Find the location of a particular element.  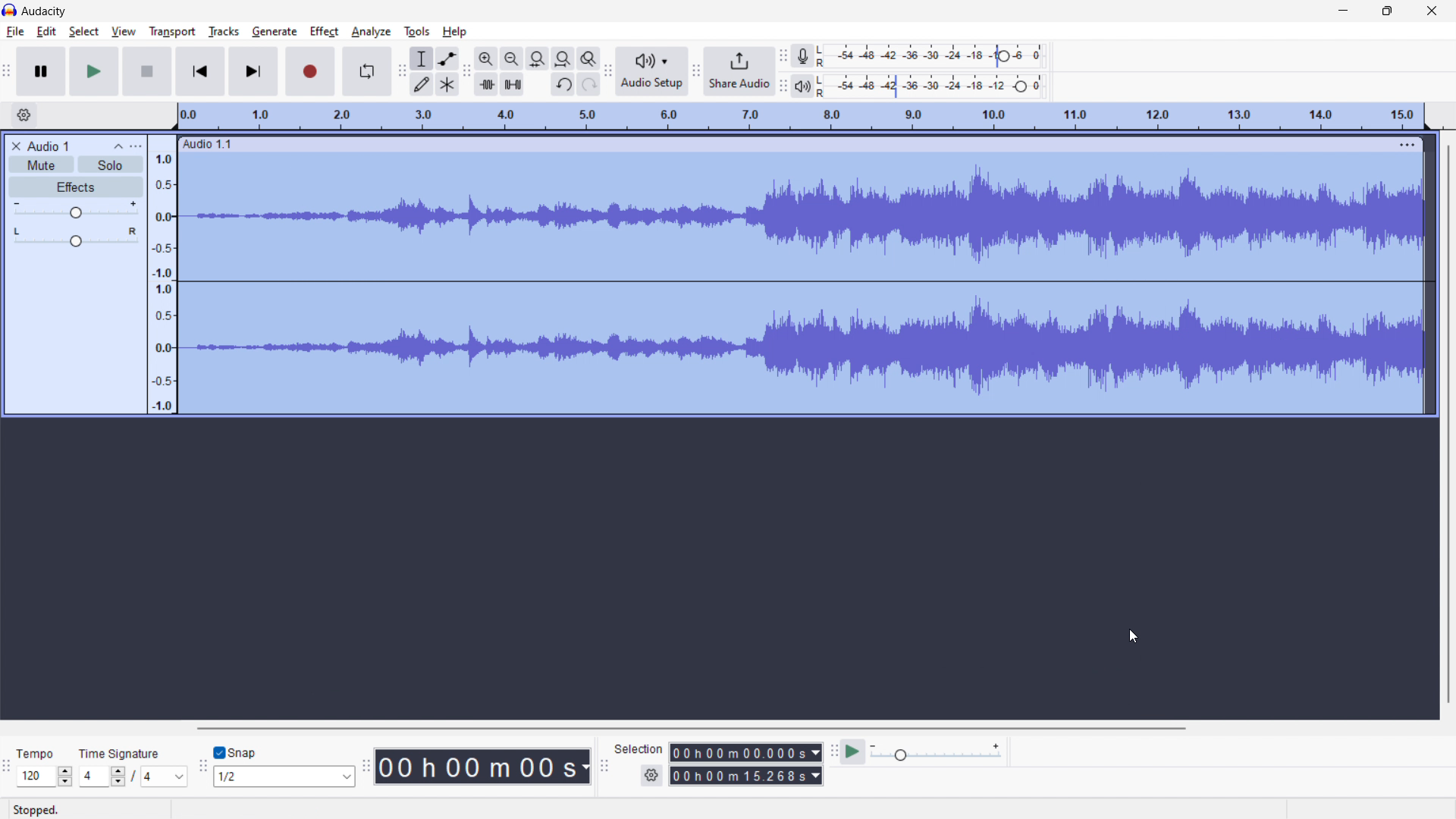

playback speed is located at coordinates (937, 753).